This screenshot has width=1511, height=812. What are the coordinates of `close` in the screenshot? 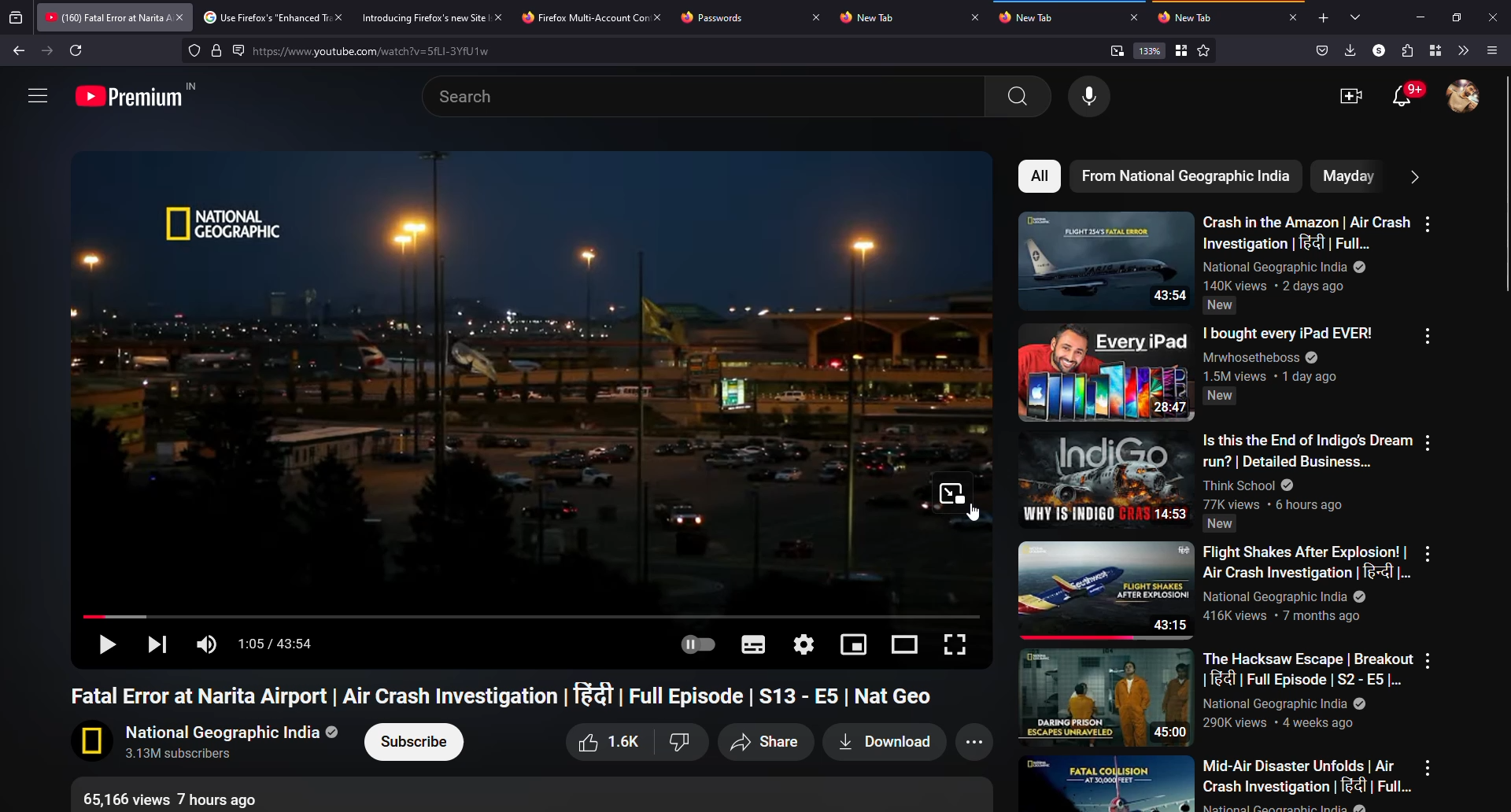 It's located at (179, 17).